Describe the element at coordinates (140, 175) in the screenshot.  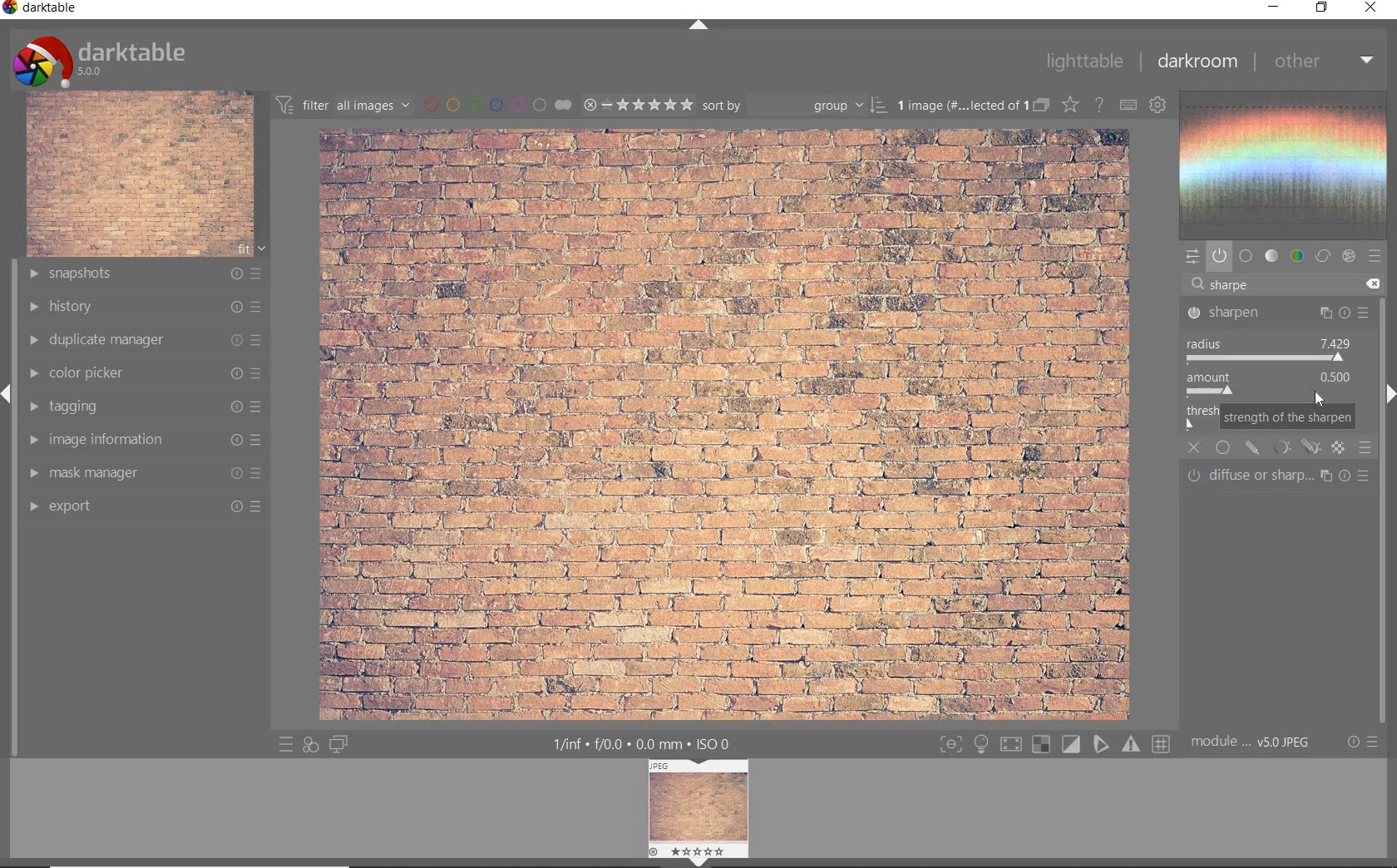
I see `image ` at that location.